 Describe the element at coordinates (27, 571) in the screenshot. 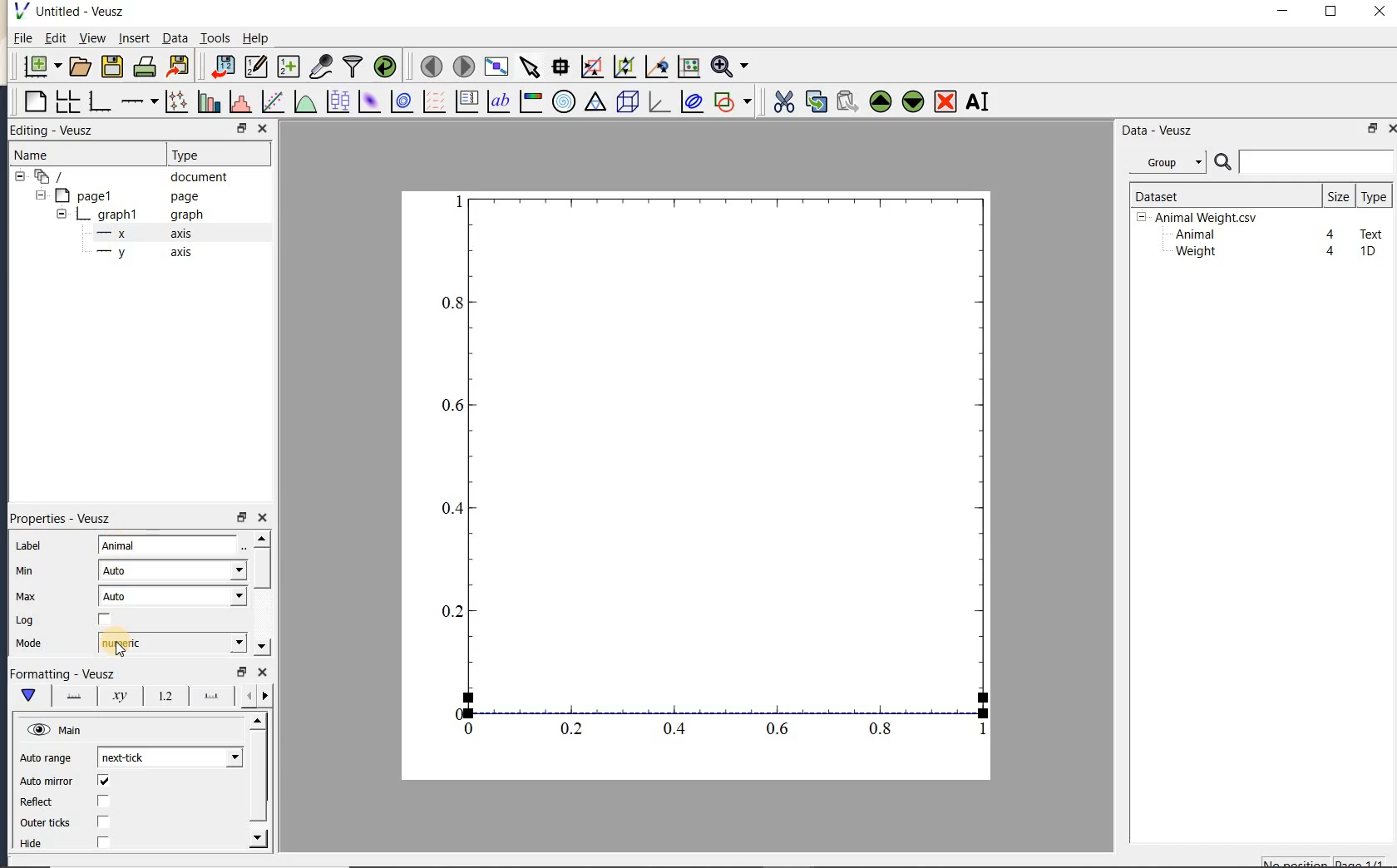

I see `Min` at that location.